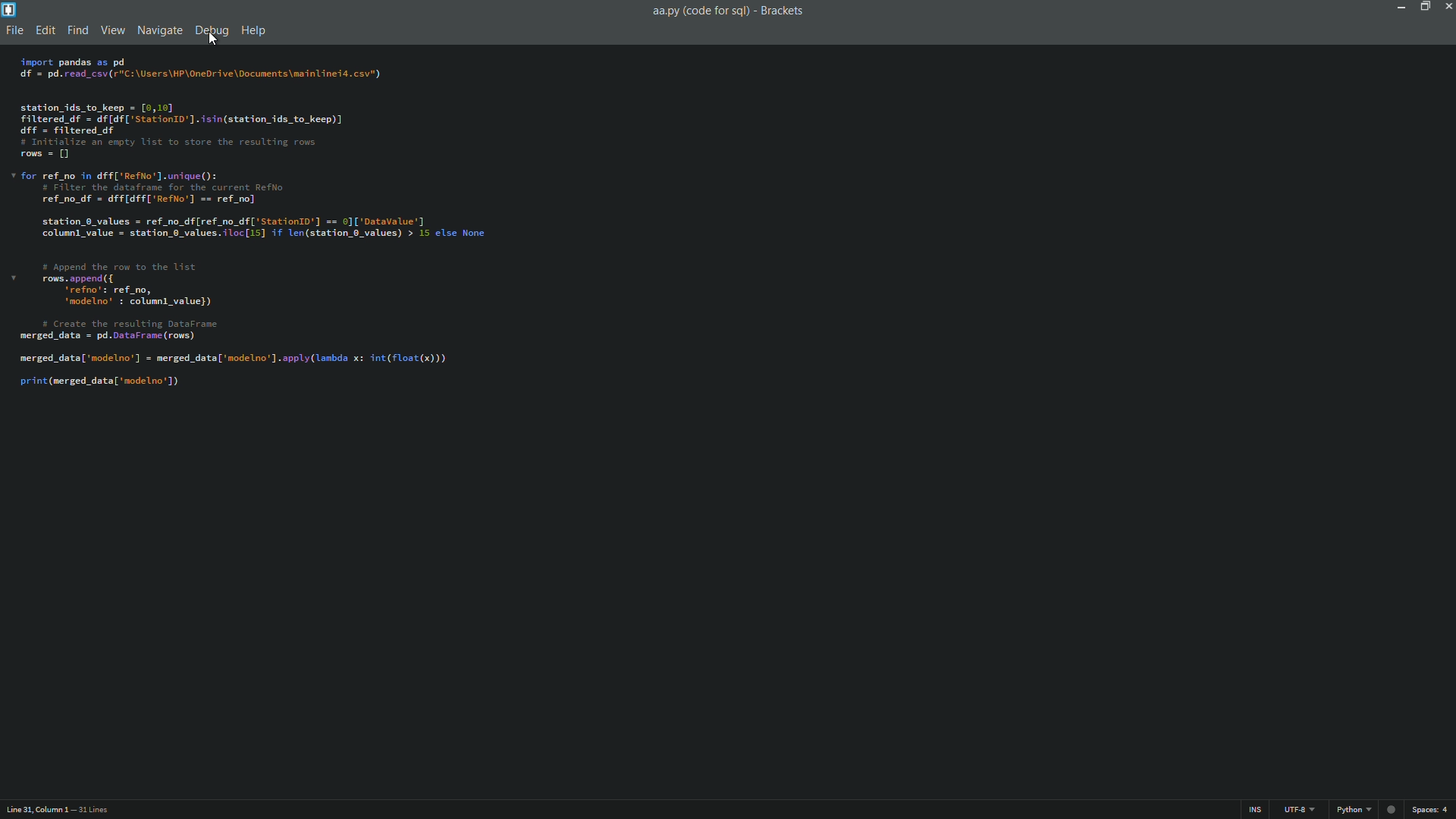 Image resolution: width=1456 pixels, height=819 pixels. Describe the element at coordinates (111, 30) in the screenshot. I see `View menu` at that location.